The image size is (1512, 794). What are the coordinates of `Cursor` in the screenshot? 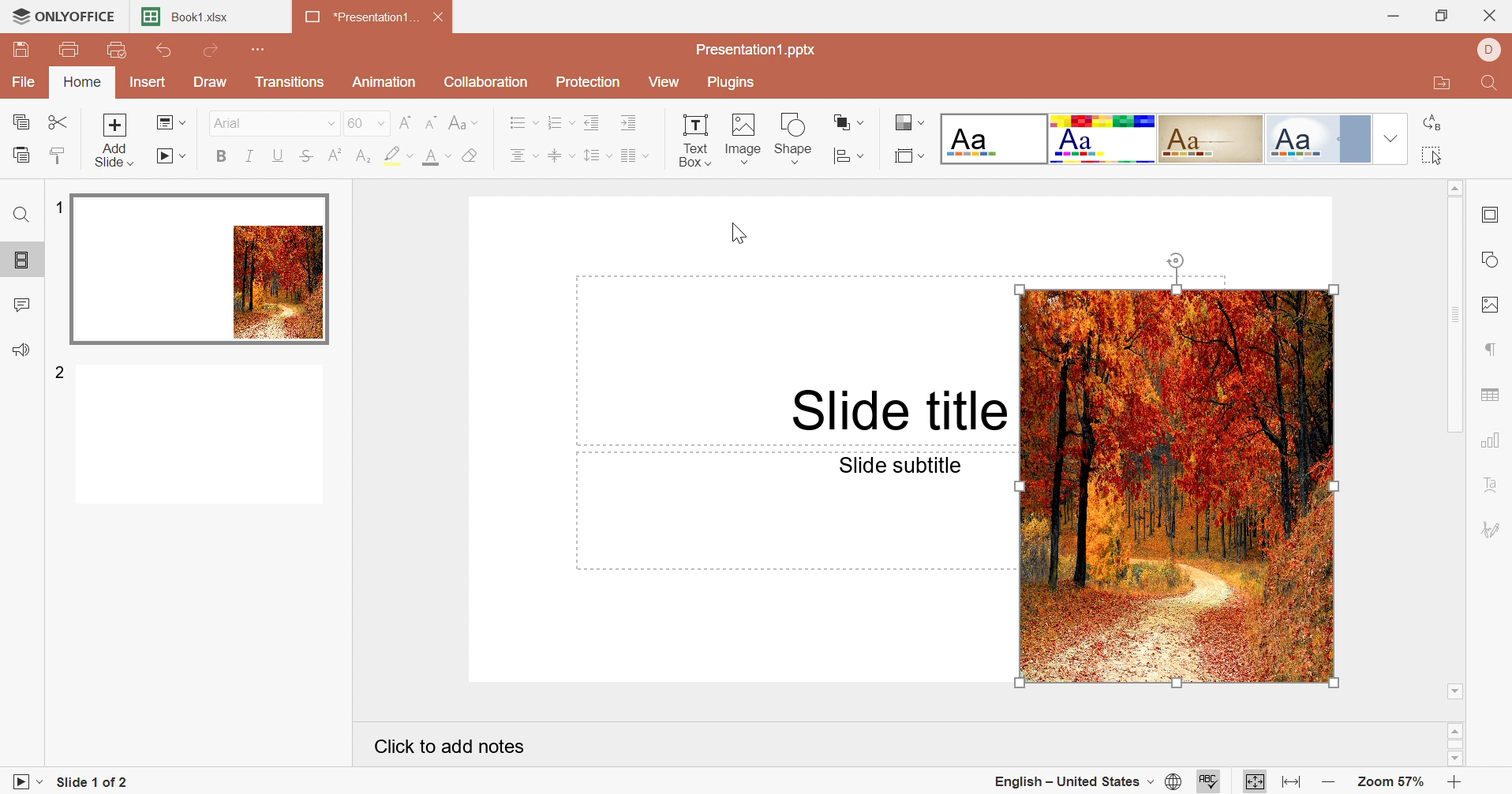 It's located at (740, 234).